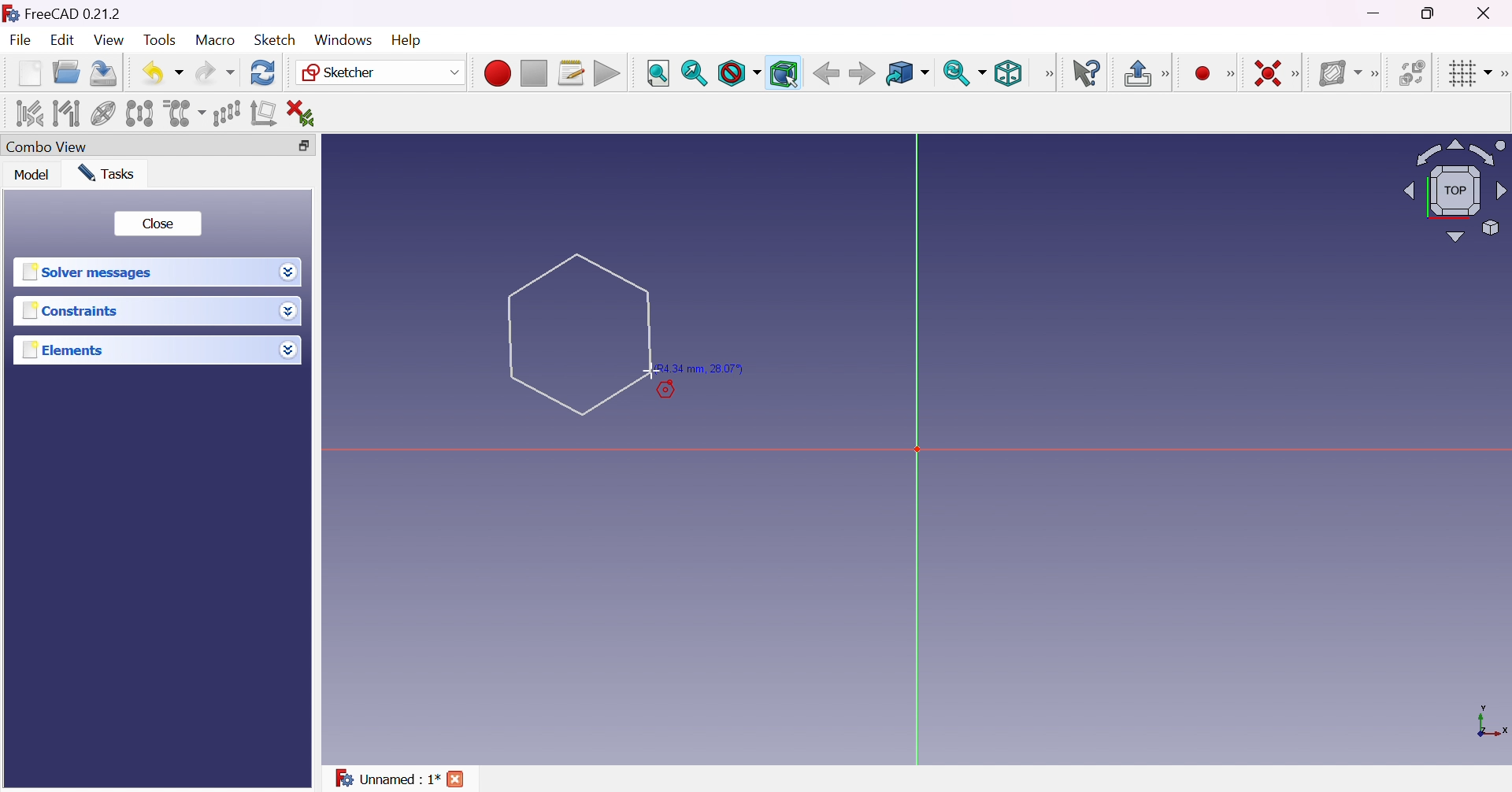 The image size is (1512, 792). I want to click on Switch virtual space, so click(1410, 72).